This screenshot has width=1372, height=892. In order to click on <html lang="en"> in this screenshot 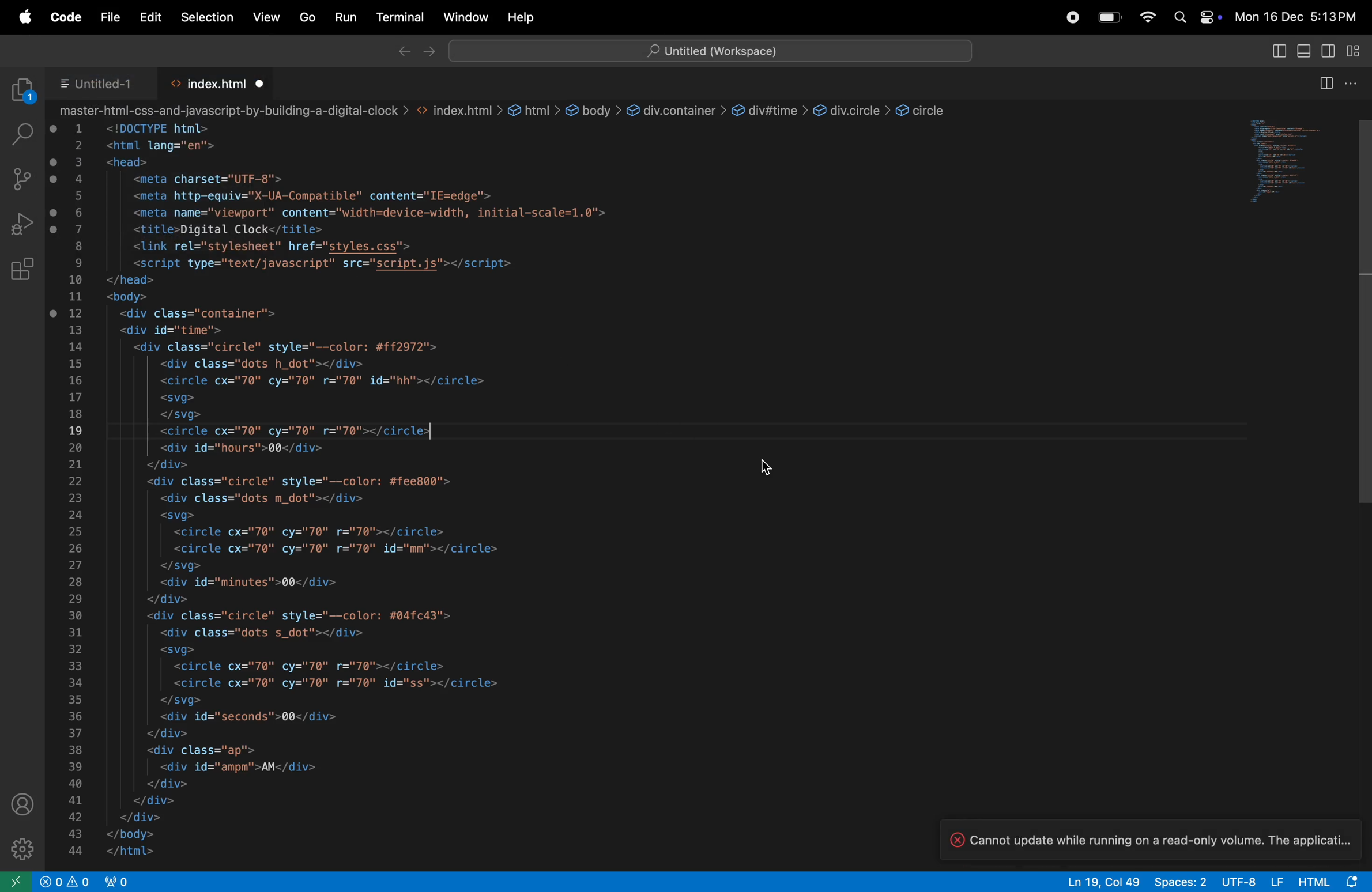, I will do `click(168, 146)`.